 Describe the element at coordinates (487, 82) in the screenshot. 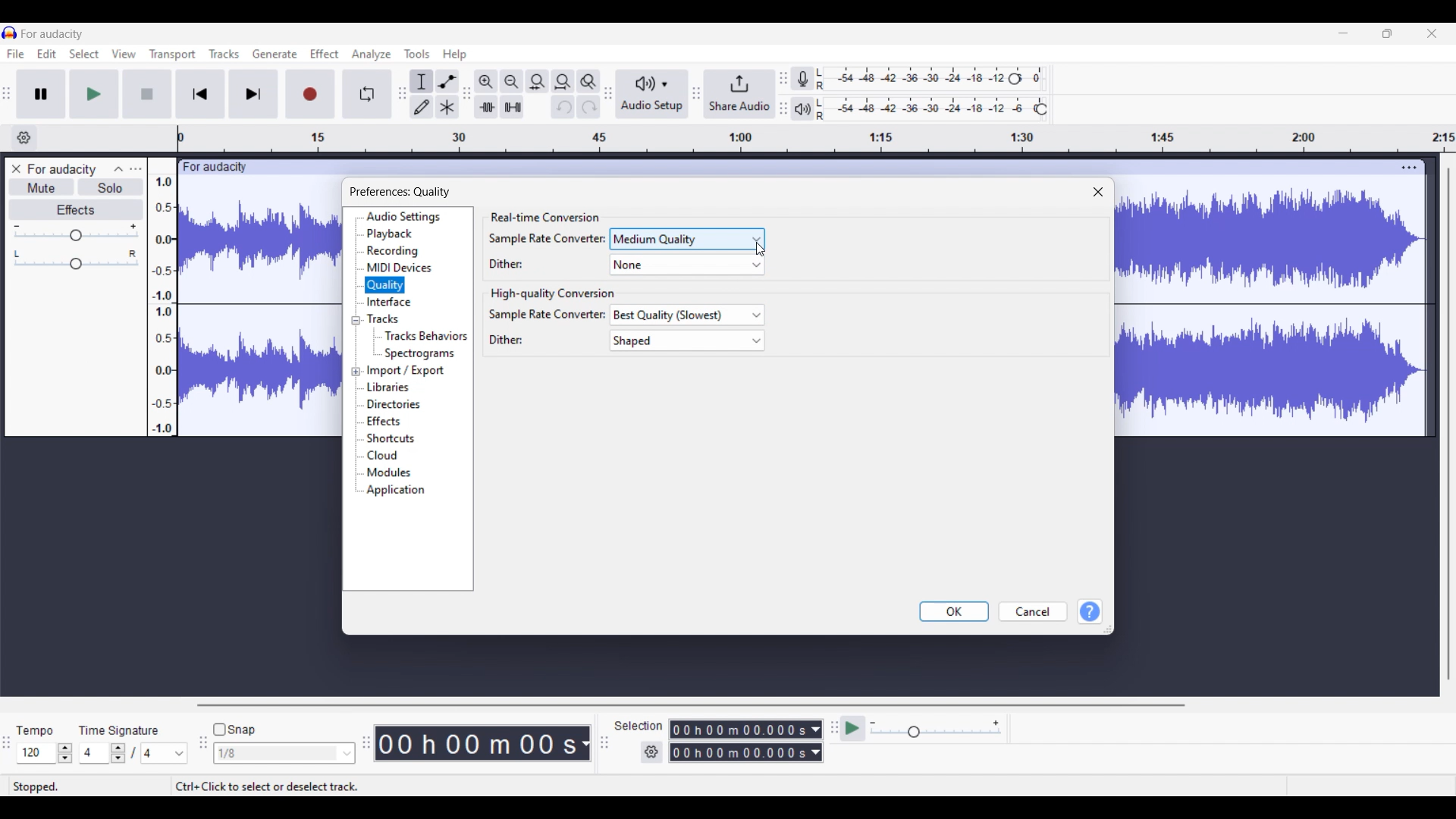

I see `Zoom in` at that location.